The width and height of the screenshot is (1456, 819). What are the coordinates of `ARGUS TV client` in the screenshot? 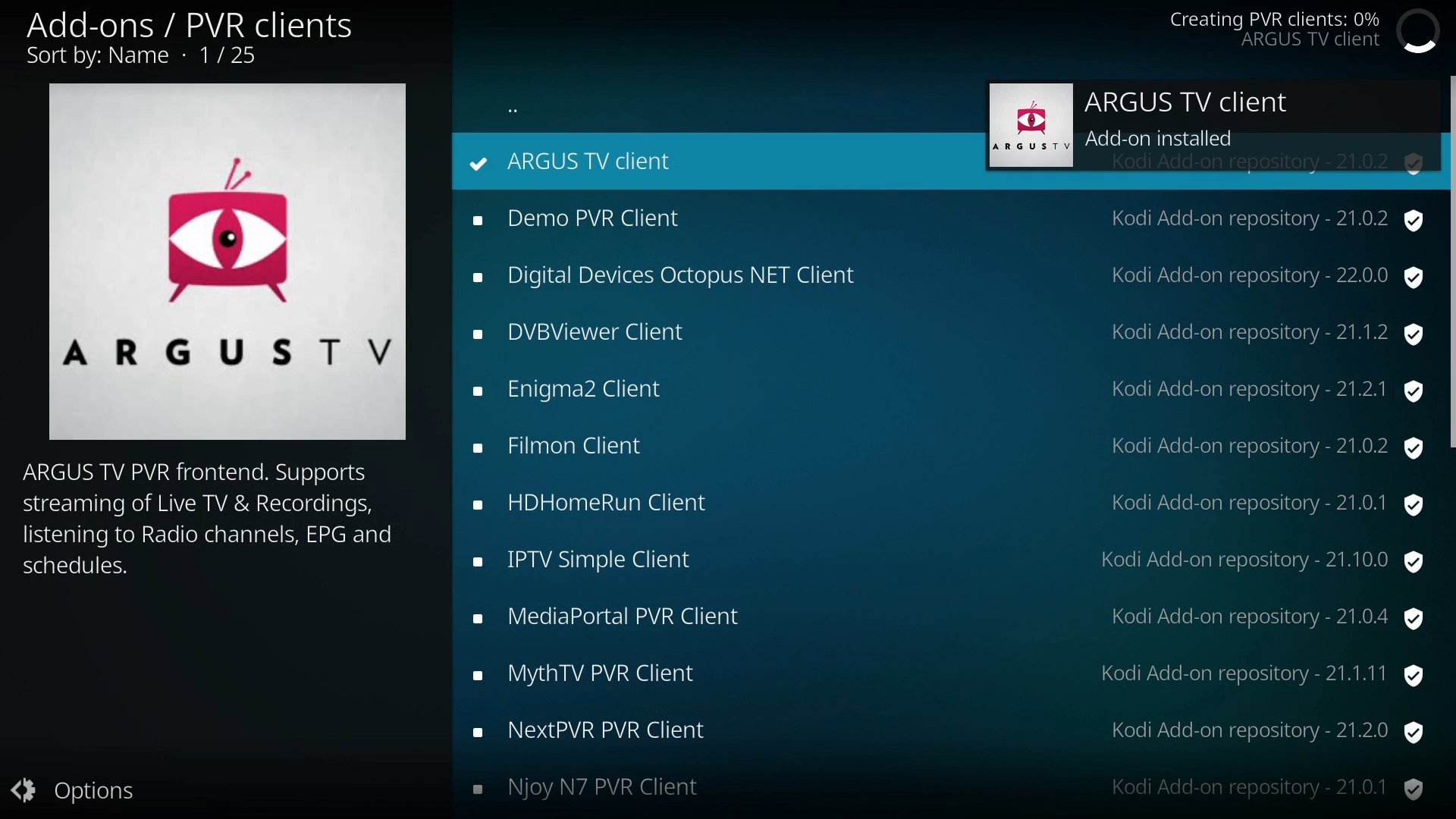 It's located at (622, 158).